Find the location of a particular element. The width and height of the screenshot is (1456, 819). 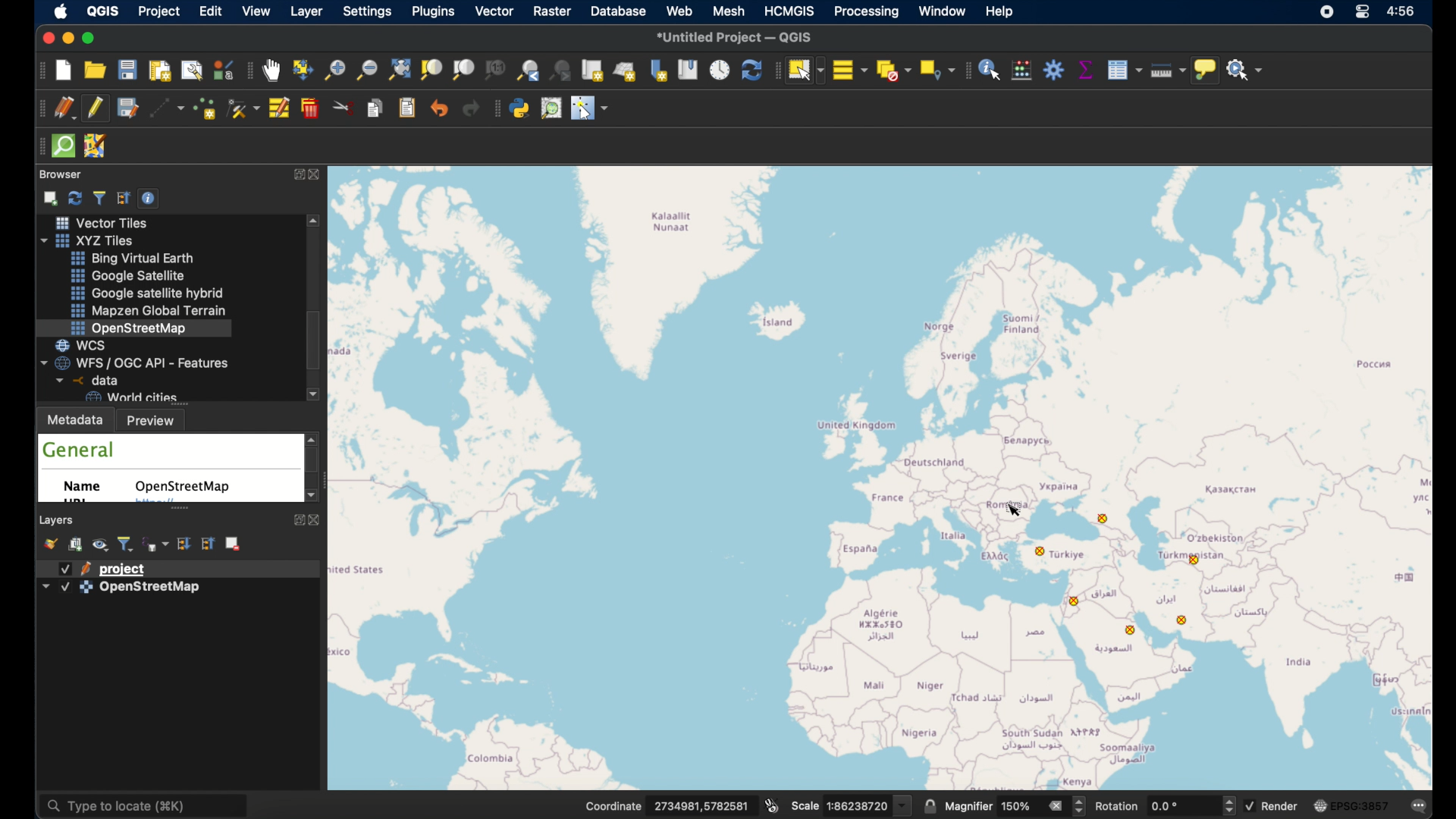

close is located at coordinates (45, 37).